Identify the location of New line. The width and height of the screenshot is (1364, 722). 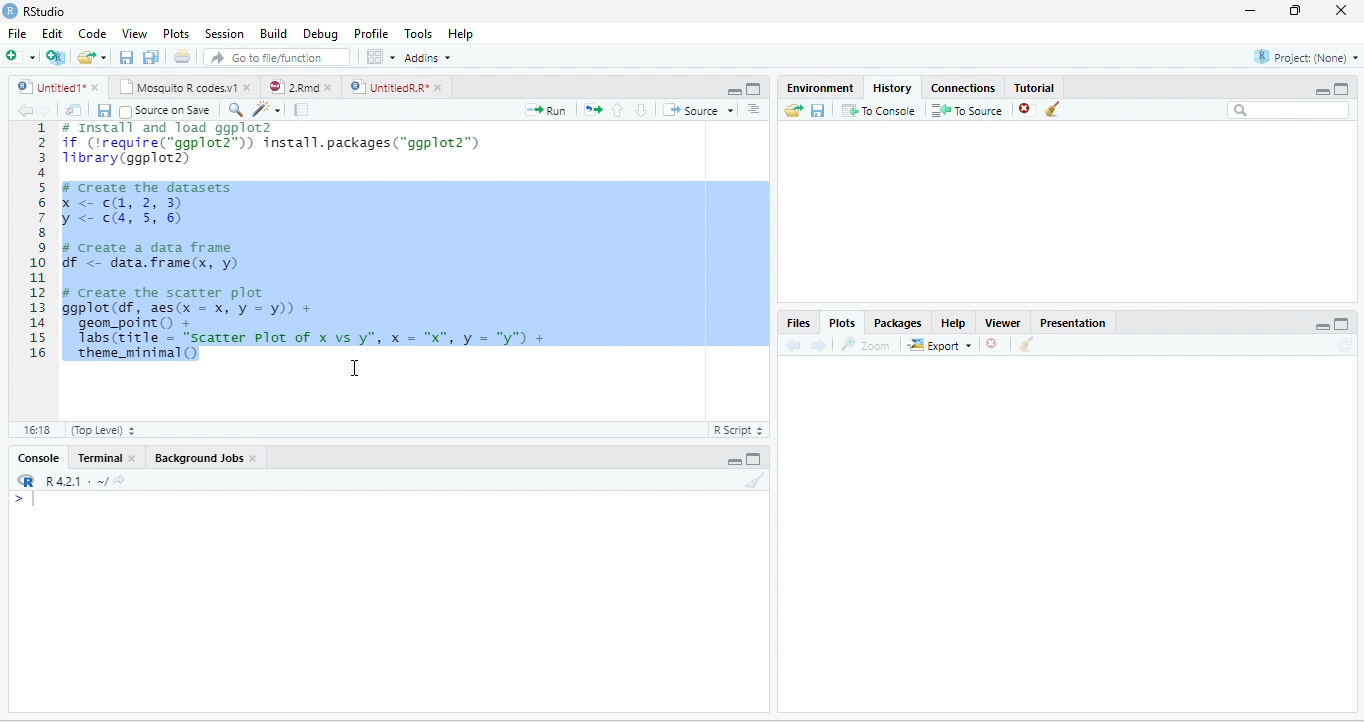
(25, 498).